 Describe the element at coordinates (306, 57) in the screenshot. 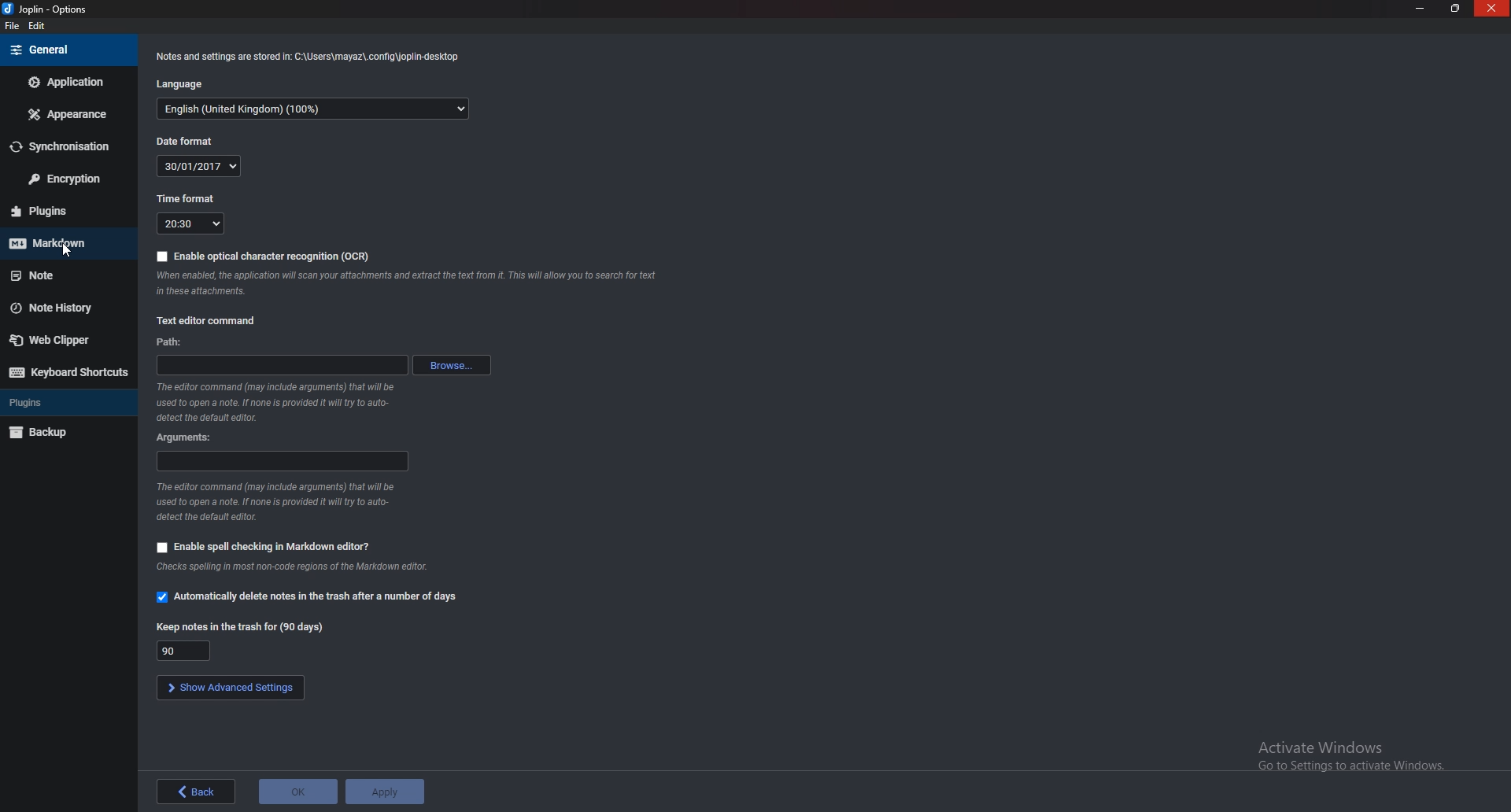

I see `Info` at that location.